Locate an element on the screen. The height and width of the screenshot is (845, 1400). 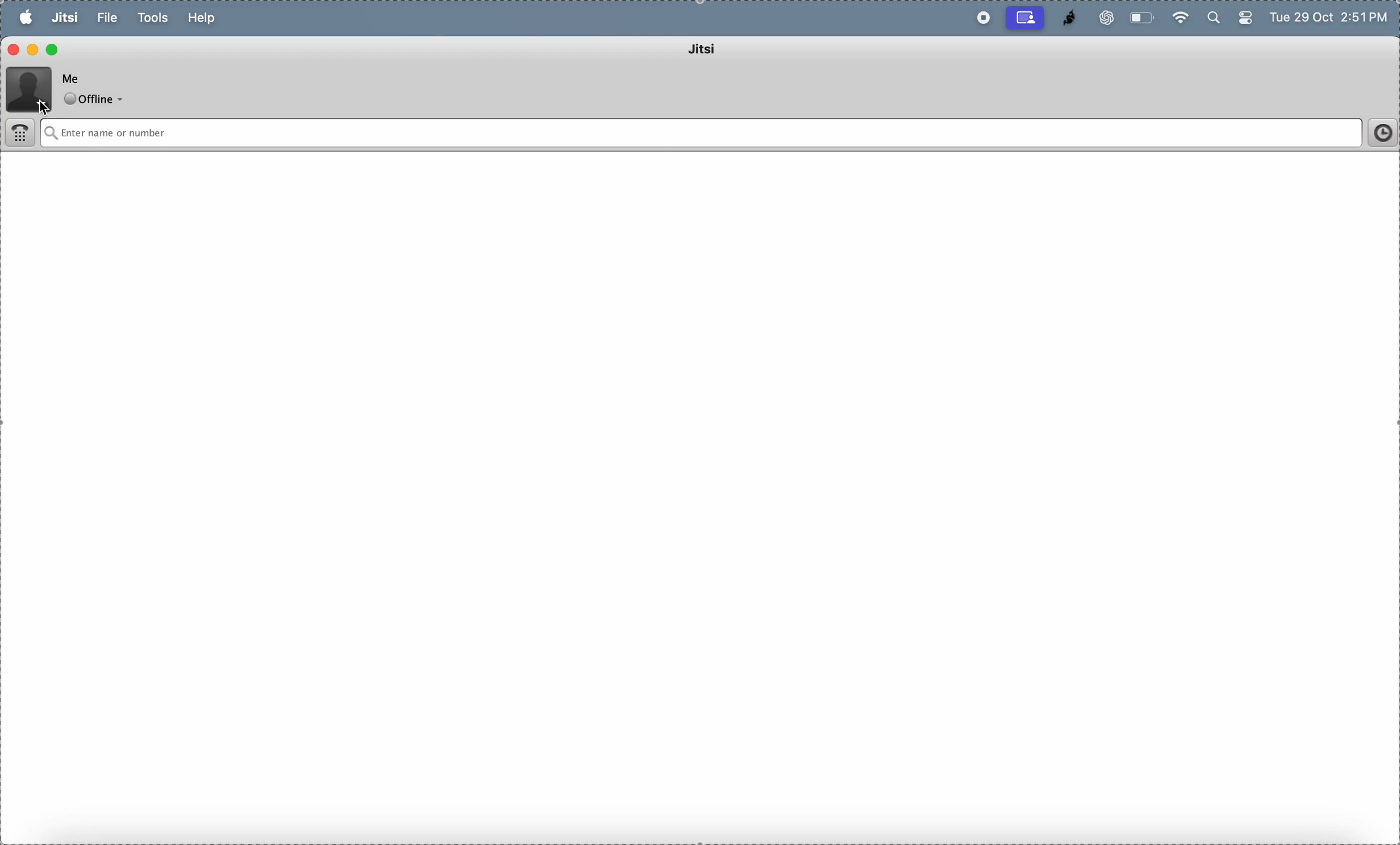
jitsi menu is located at coordinates (65, 19).